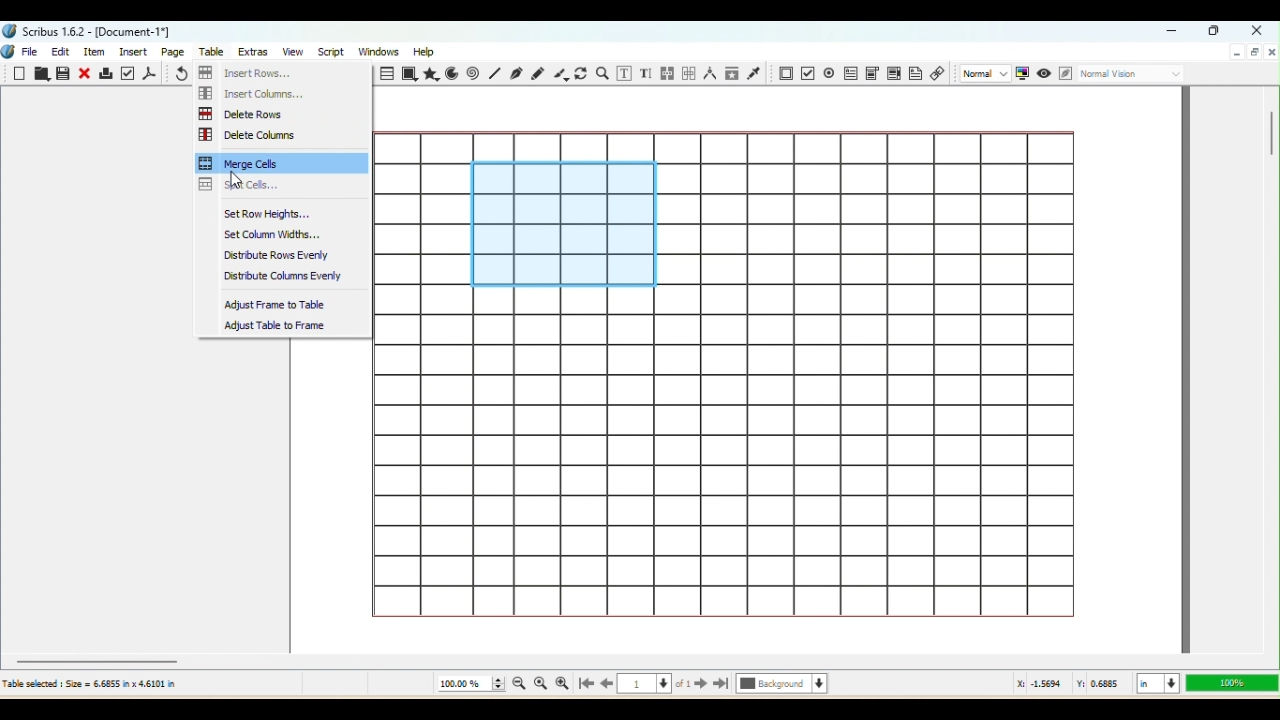  What do you see at coordinates (129, 73) in the screenshot?
I see `Preflight verifier` at bounding box center [129, 73].